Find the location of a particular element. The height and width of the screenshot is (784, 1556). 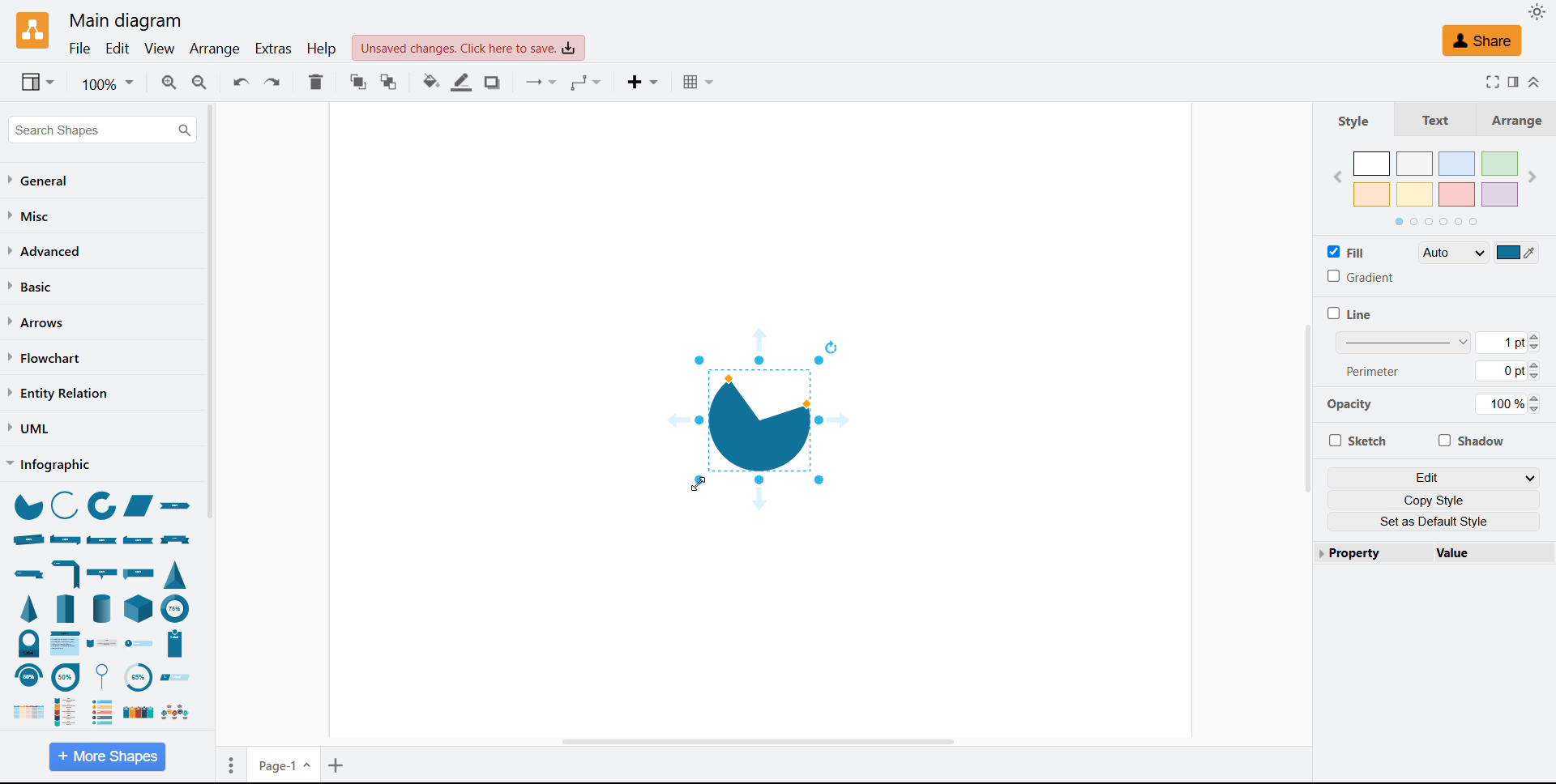

pie is located at coordinates (27, 505).